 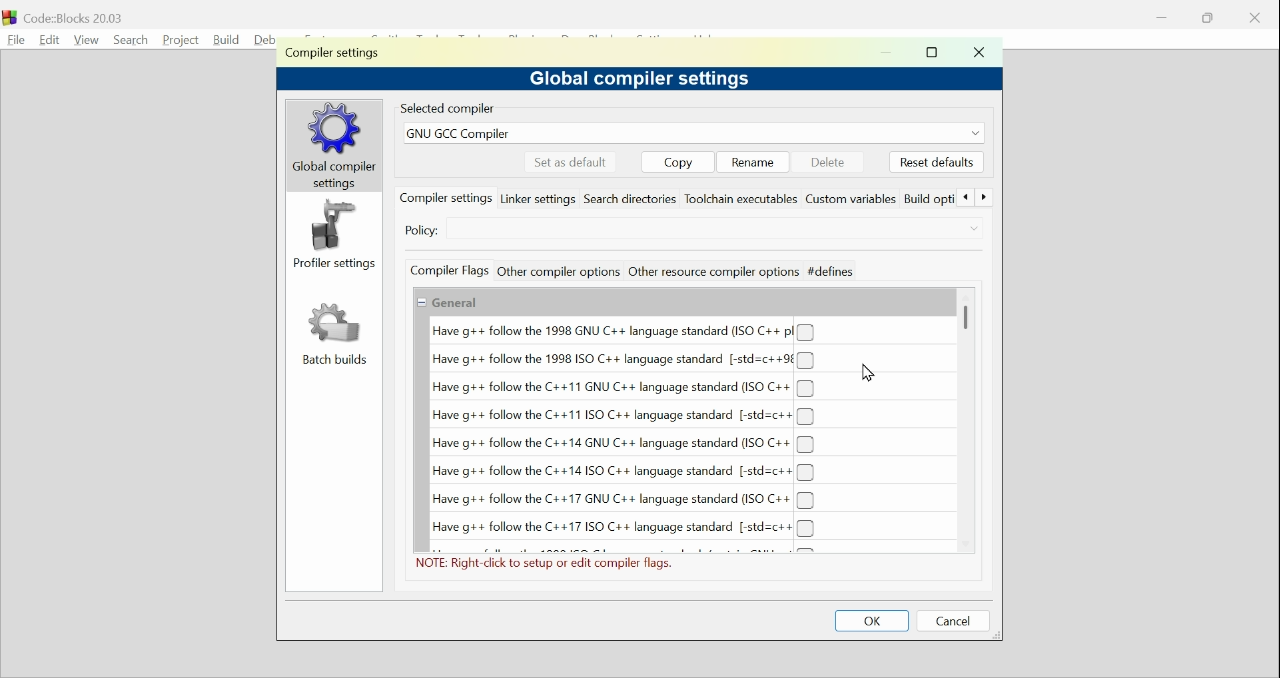 I want to click on minimise, so click(x=886, y=53).